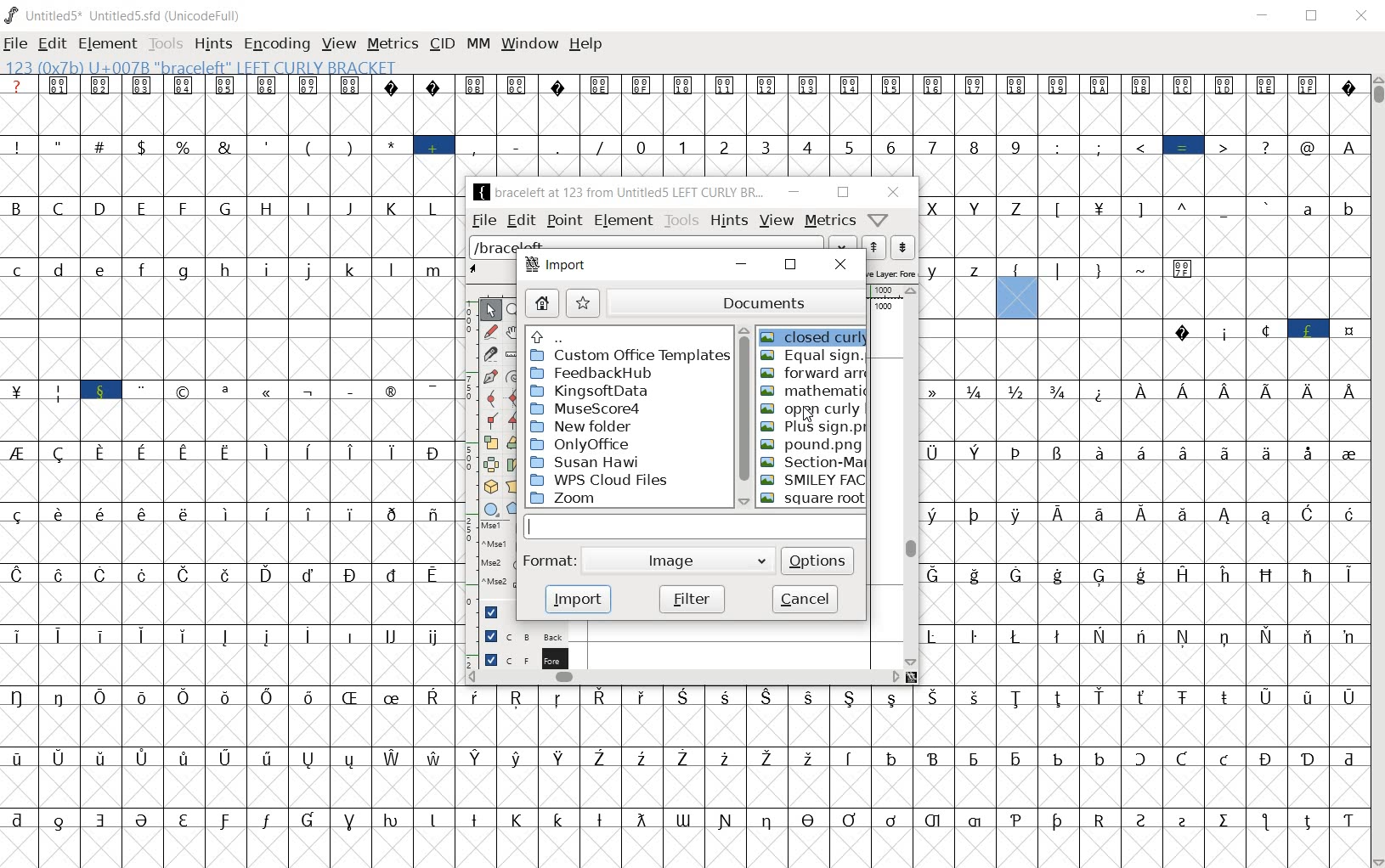 The image size is (1385, 868). I want to click on open curly, so click(813, 408).